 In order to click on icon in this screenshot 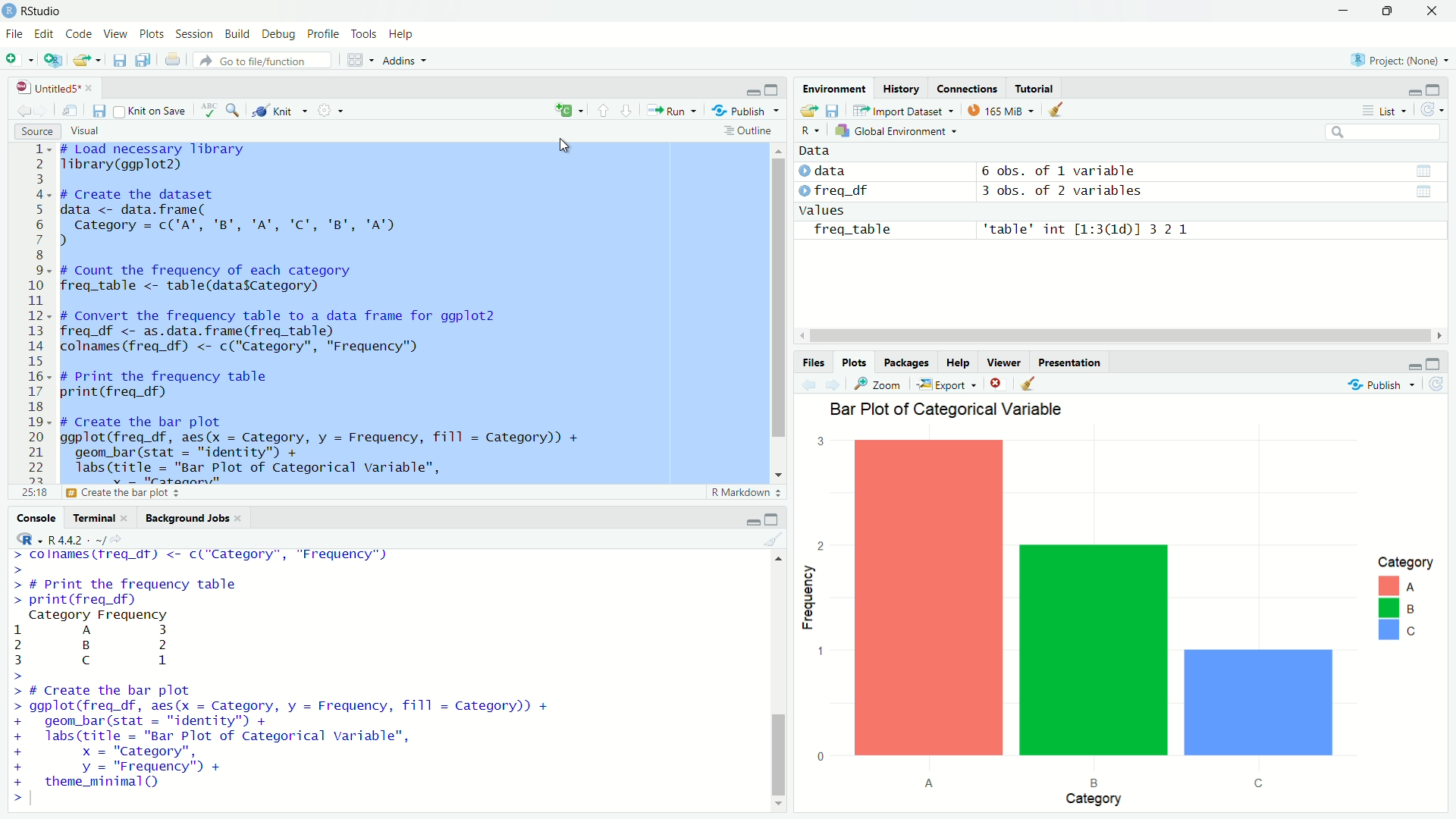, I will do `click(25, 538)`.